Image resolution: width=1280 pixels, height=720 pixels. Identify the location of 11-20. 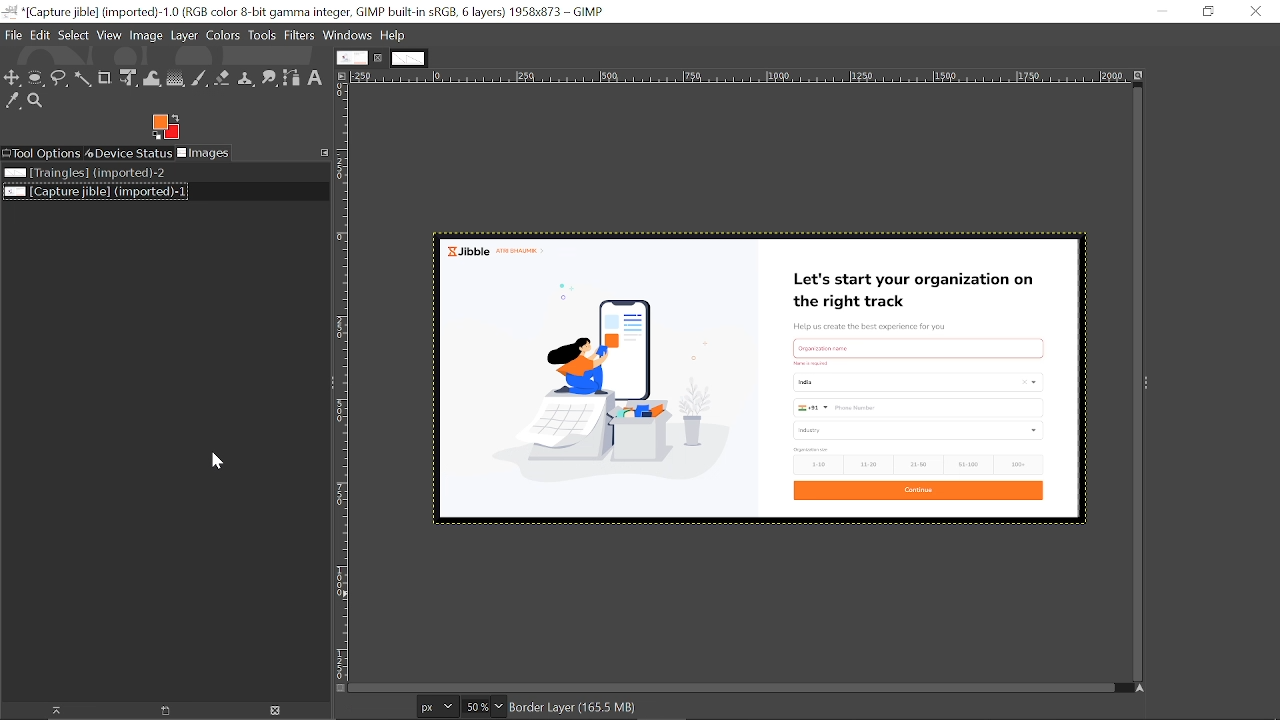
(871, 464).